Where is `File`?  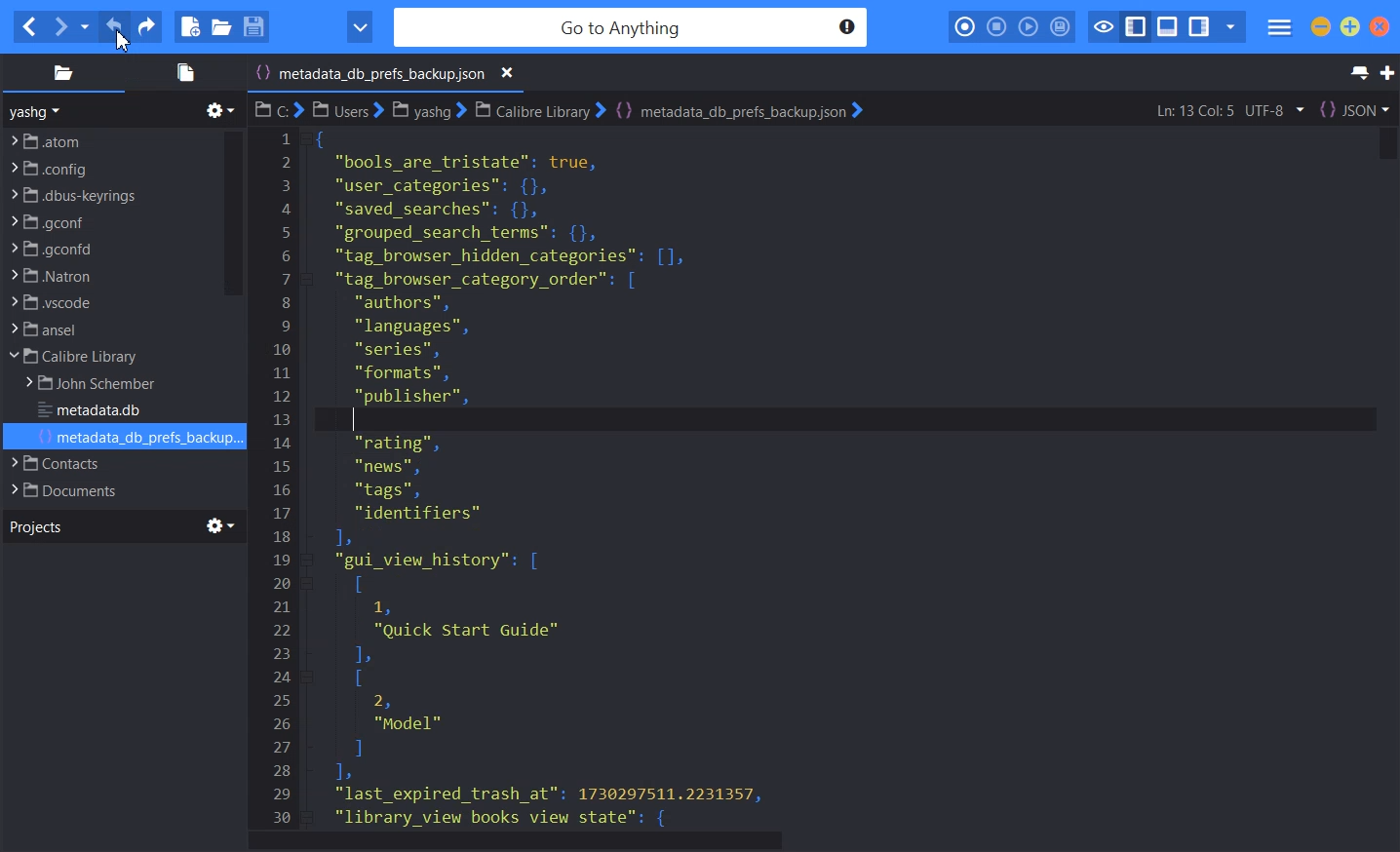
File is located at coordinates (111, 139).